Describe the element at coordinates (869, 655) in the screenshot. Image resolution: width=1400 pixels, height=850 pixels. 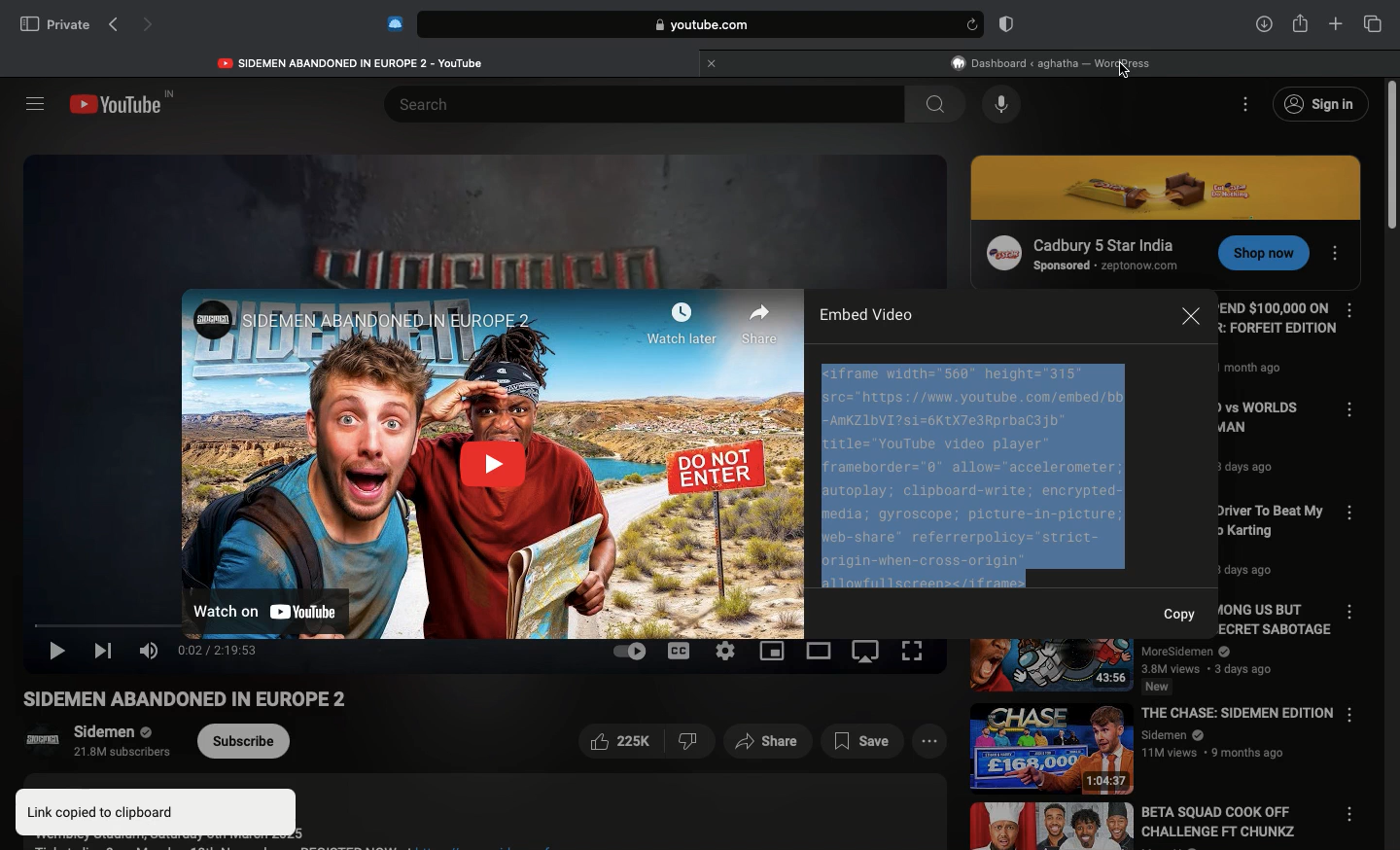
I see `Screen orientation` at that location.